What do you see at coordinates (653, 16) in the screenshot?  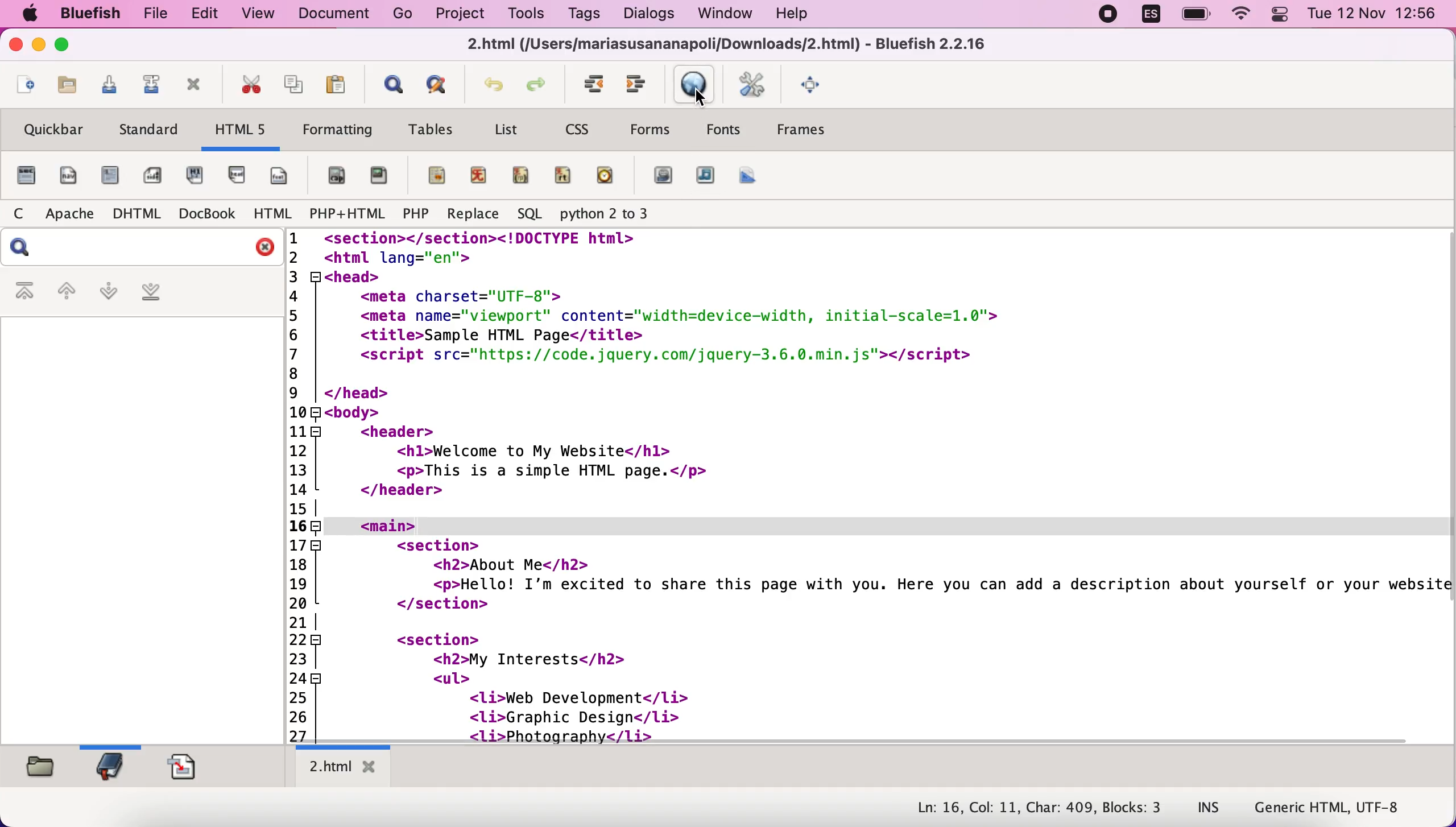 I see `dialogs` at bounding box center [653, 16].